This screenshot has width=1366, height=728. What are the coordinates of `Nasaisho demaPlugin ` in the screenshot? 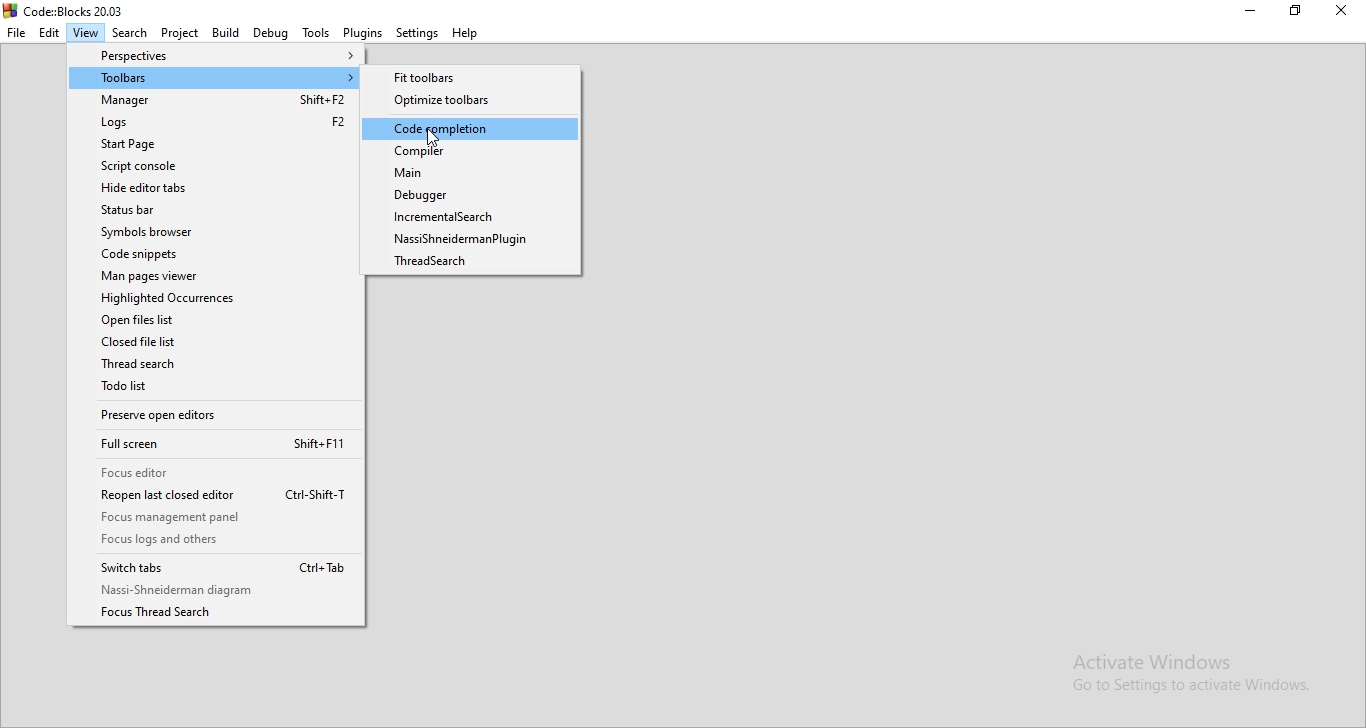 It's located at (476, 241).